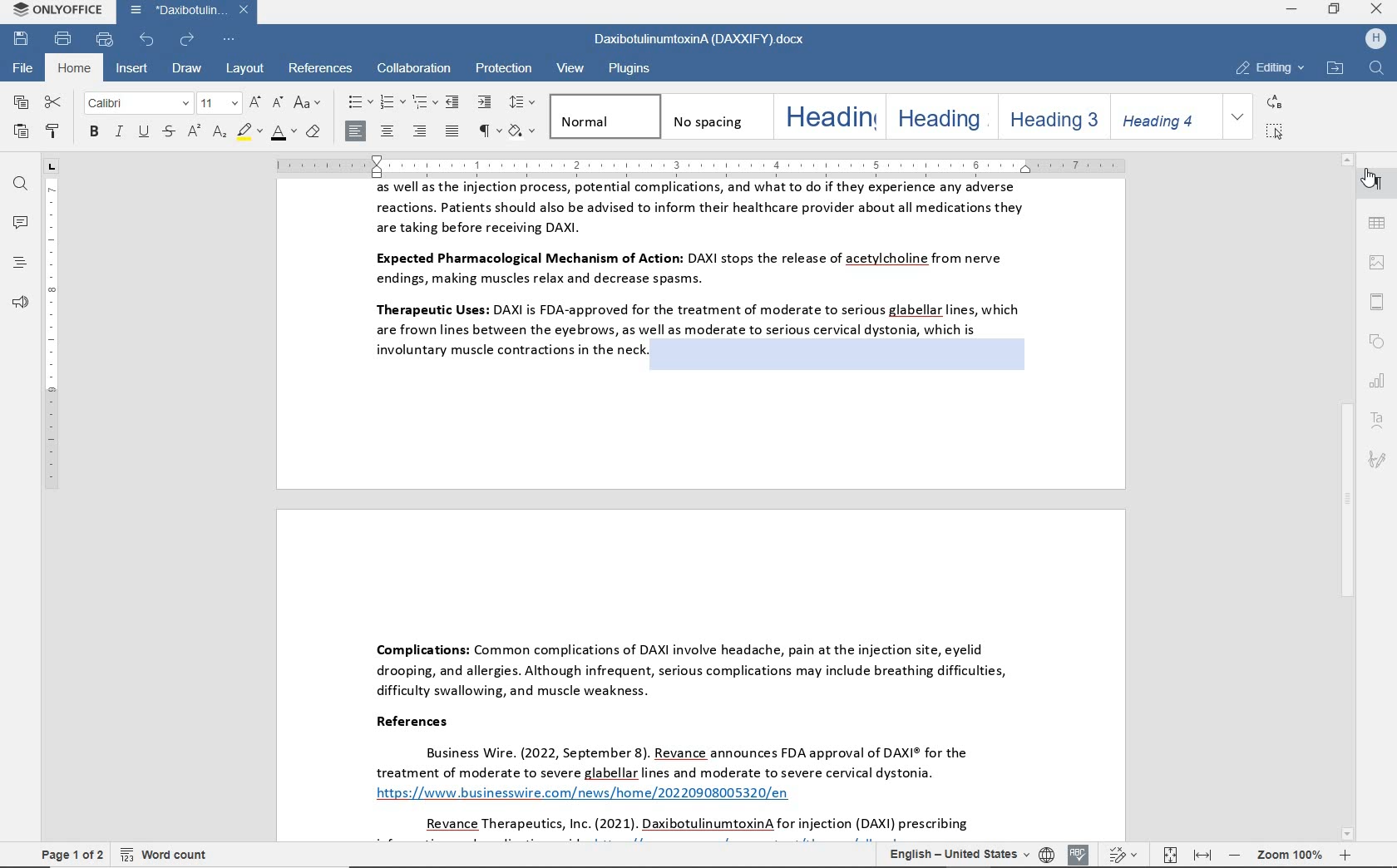 This screenshot has width=1397, height=868. I want to click on bullets, so click(358, 103).